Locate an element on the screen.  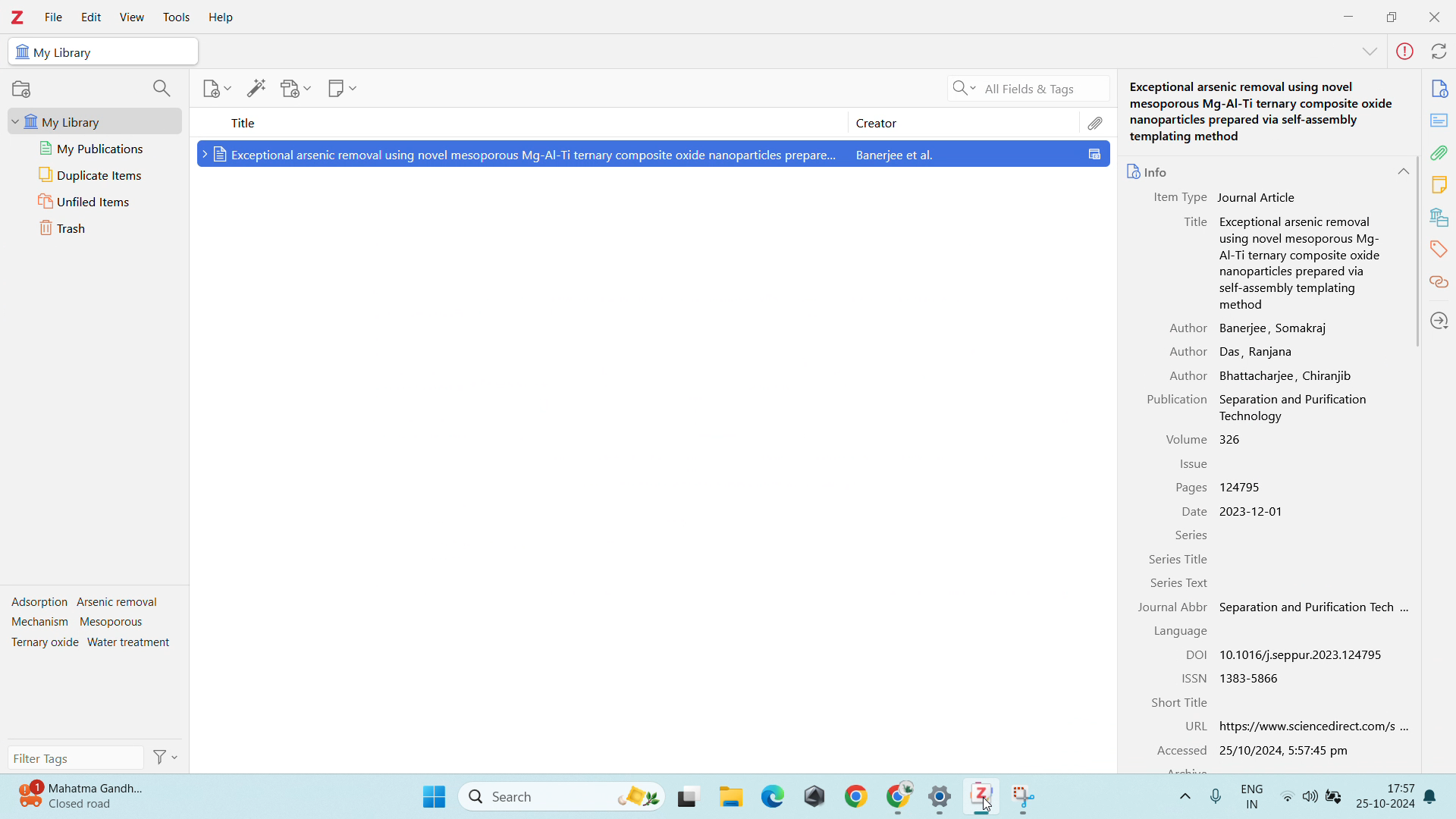
Mechanism Mesoporous is located at coordinates (83, 623).